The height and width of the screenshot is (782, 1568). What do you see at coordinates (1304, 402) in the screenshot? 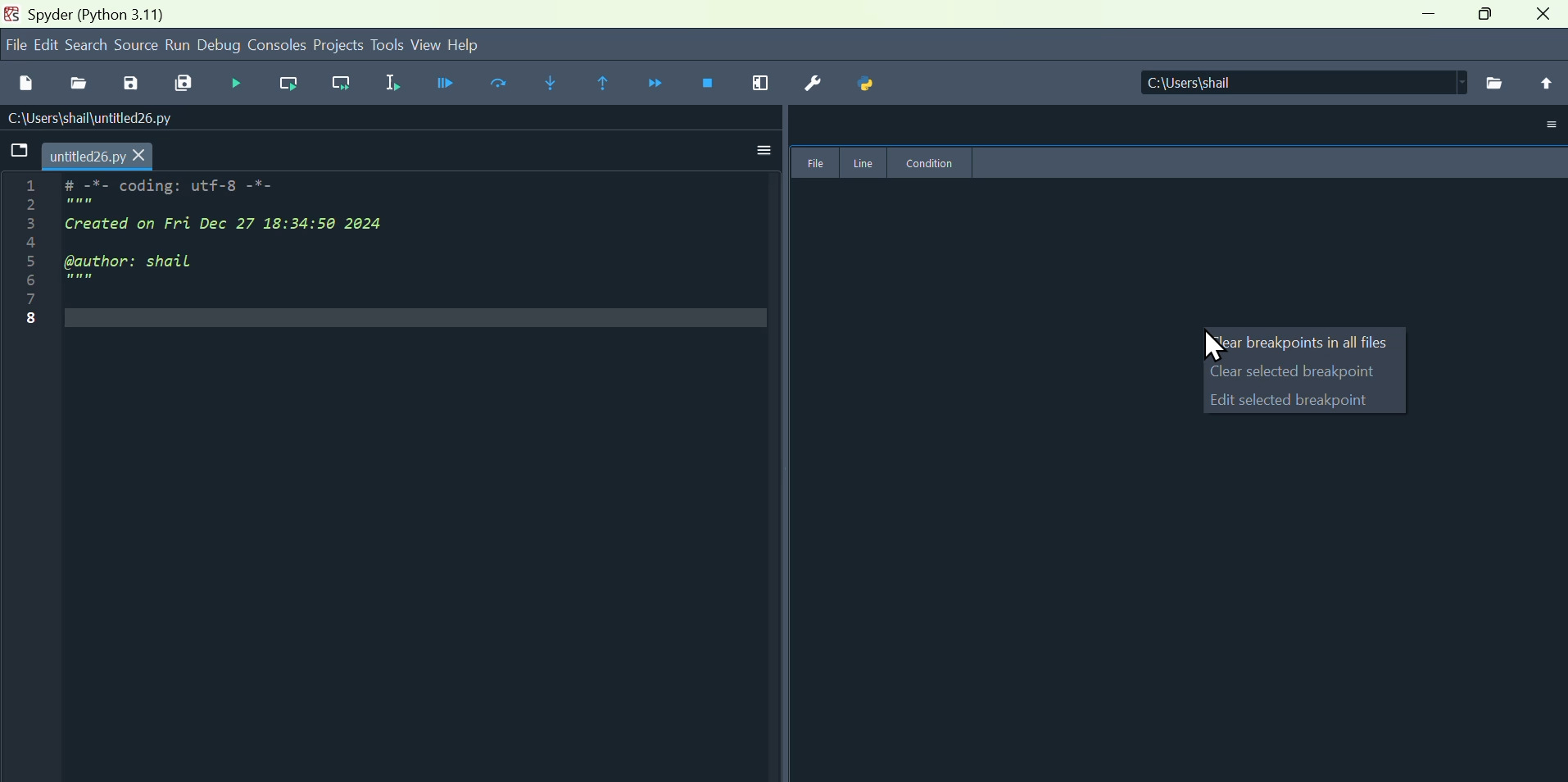
I see `Edit selected breakpoints` at bounding box center [1304, 402].